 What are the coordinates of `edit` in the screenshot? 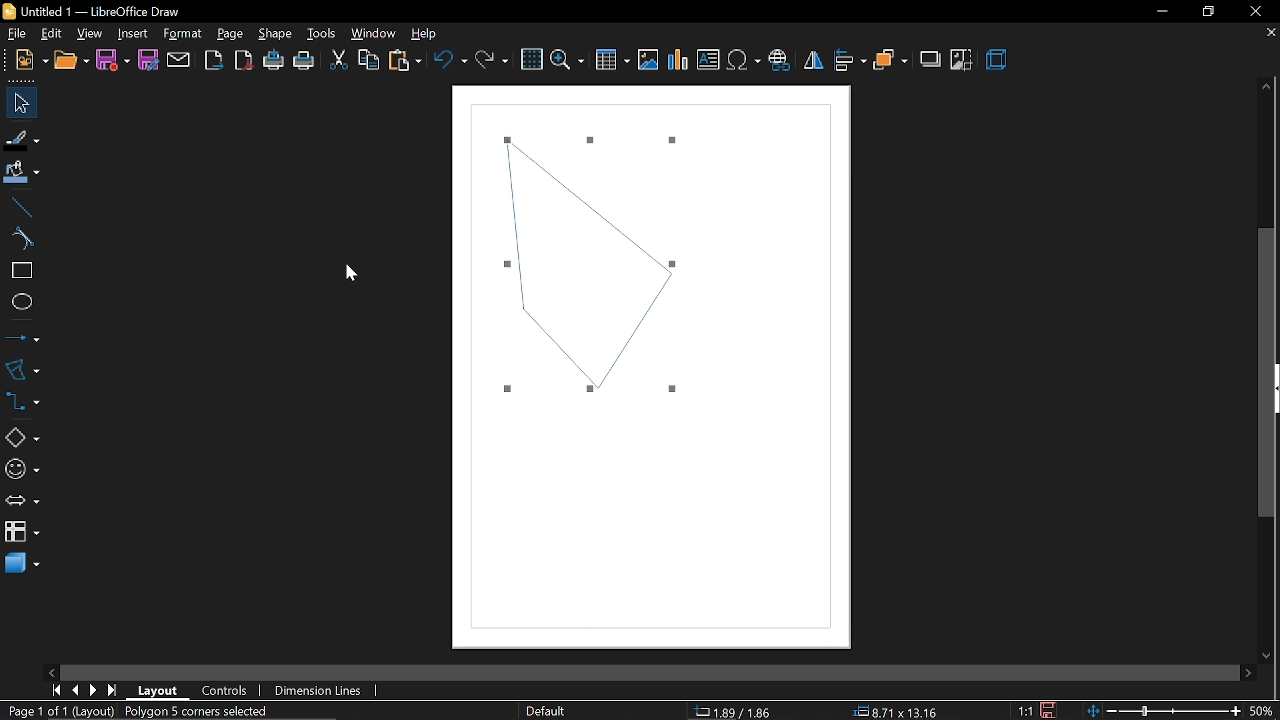 It's located at (54, 33).